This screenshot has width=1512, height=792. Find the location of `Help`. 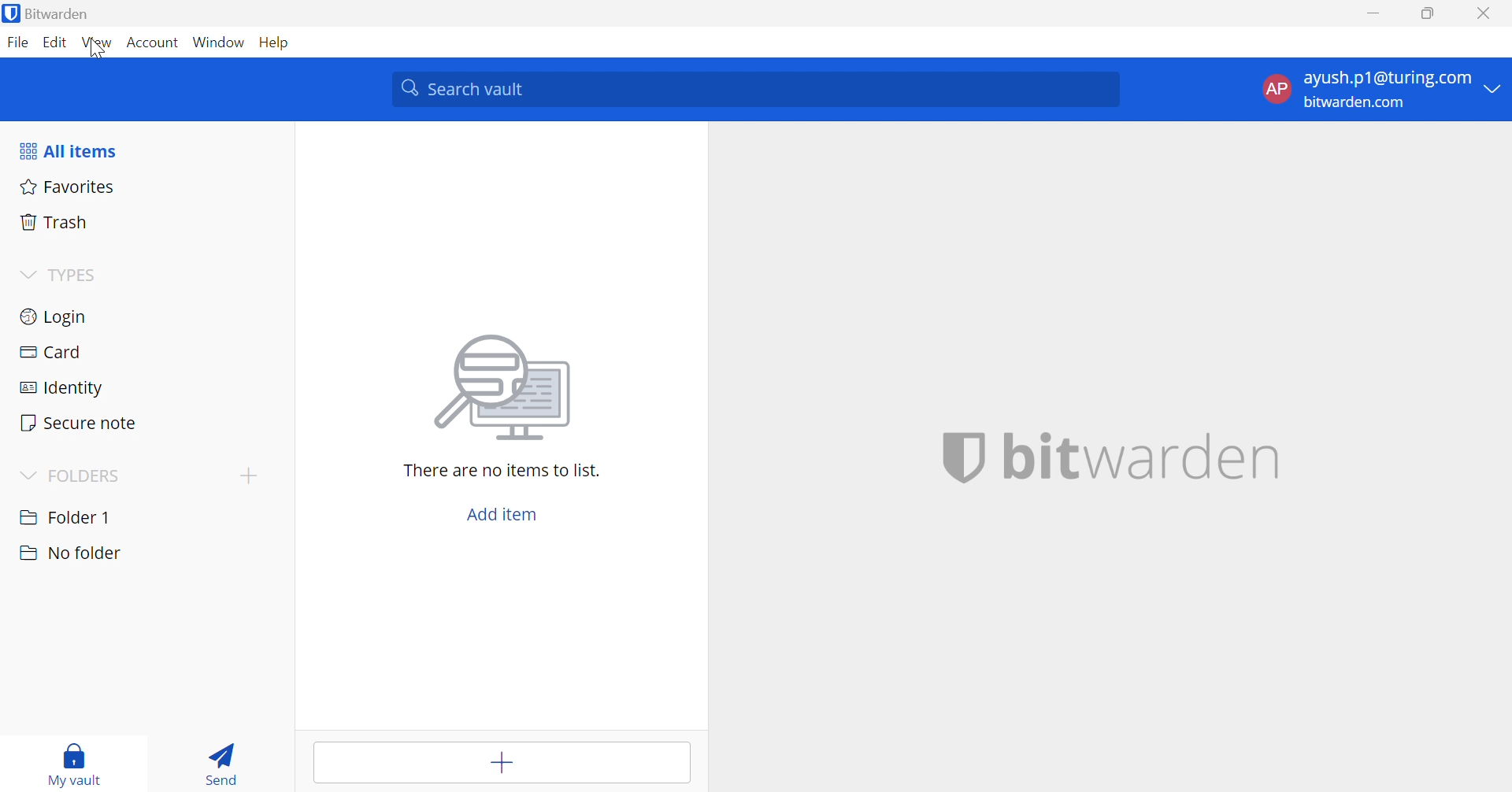

Help is located at coordinates (276, 43).